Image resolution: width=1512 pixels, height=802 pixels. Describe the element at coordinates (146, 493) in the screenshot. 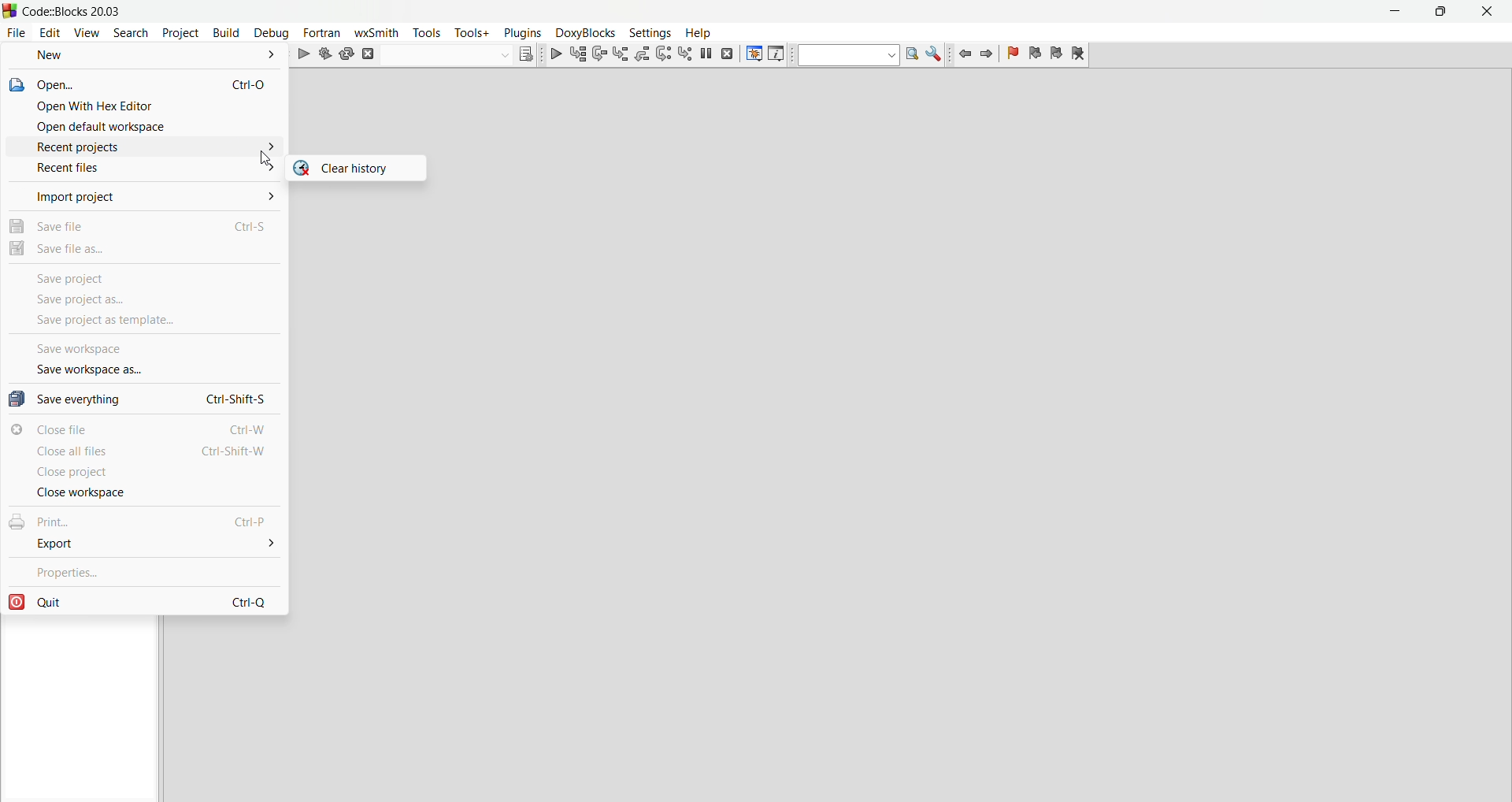

I see `close workspace` at that location.